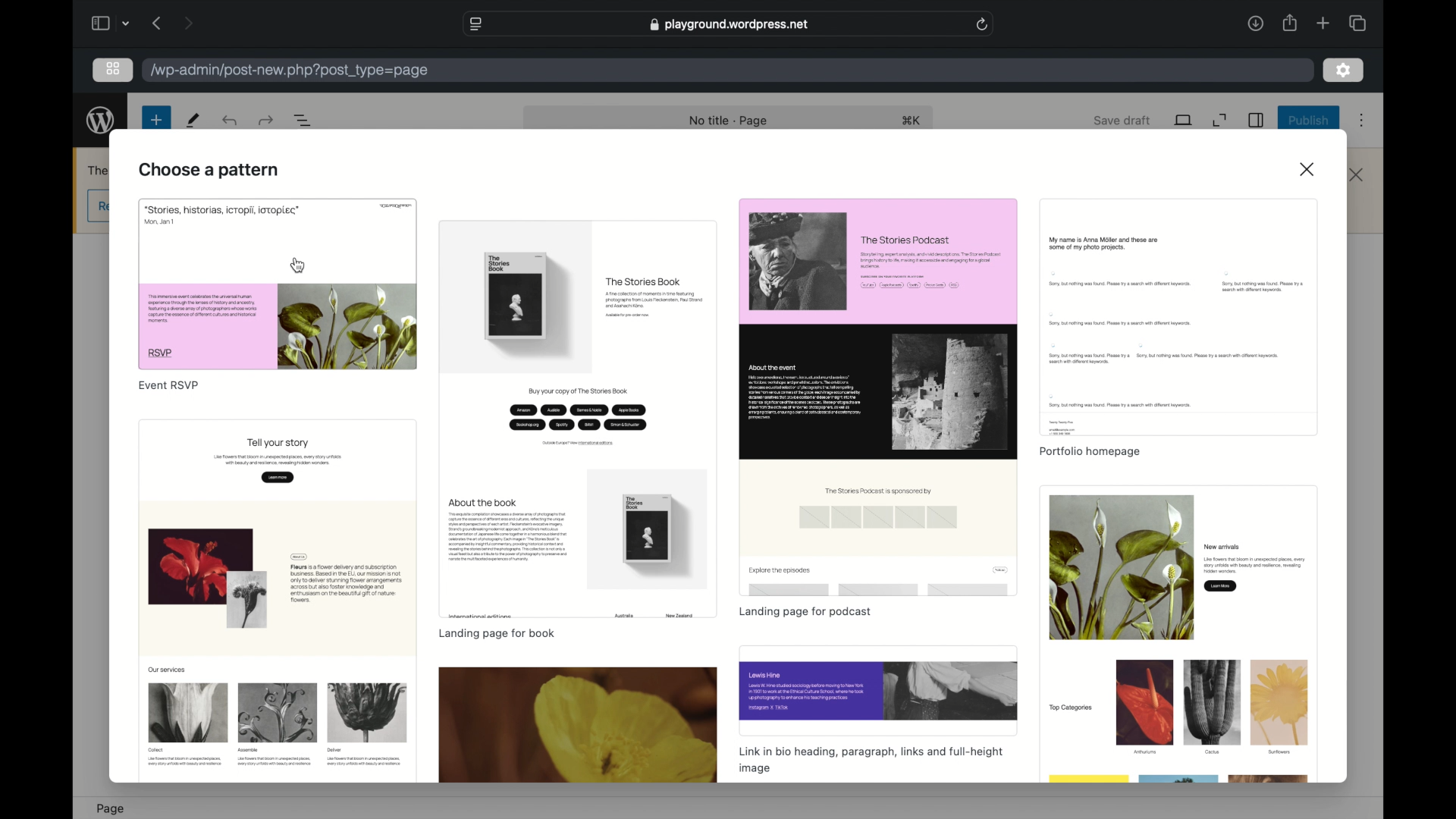 The height and width of the screenshot is (819, 1456). I want to click on landing page for book, so click(496, 634).